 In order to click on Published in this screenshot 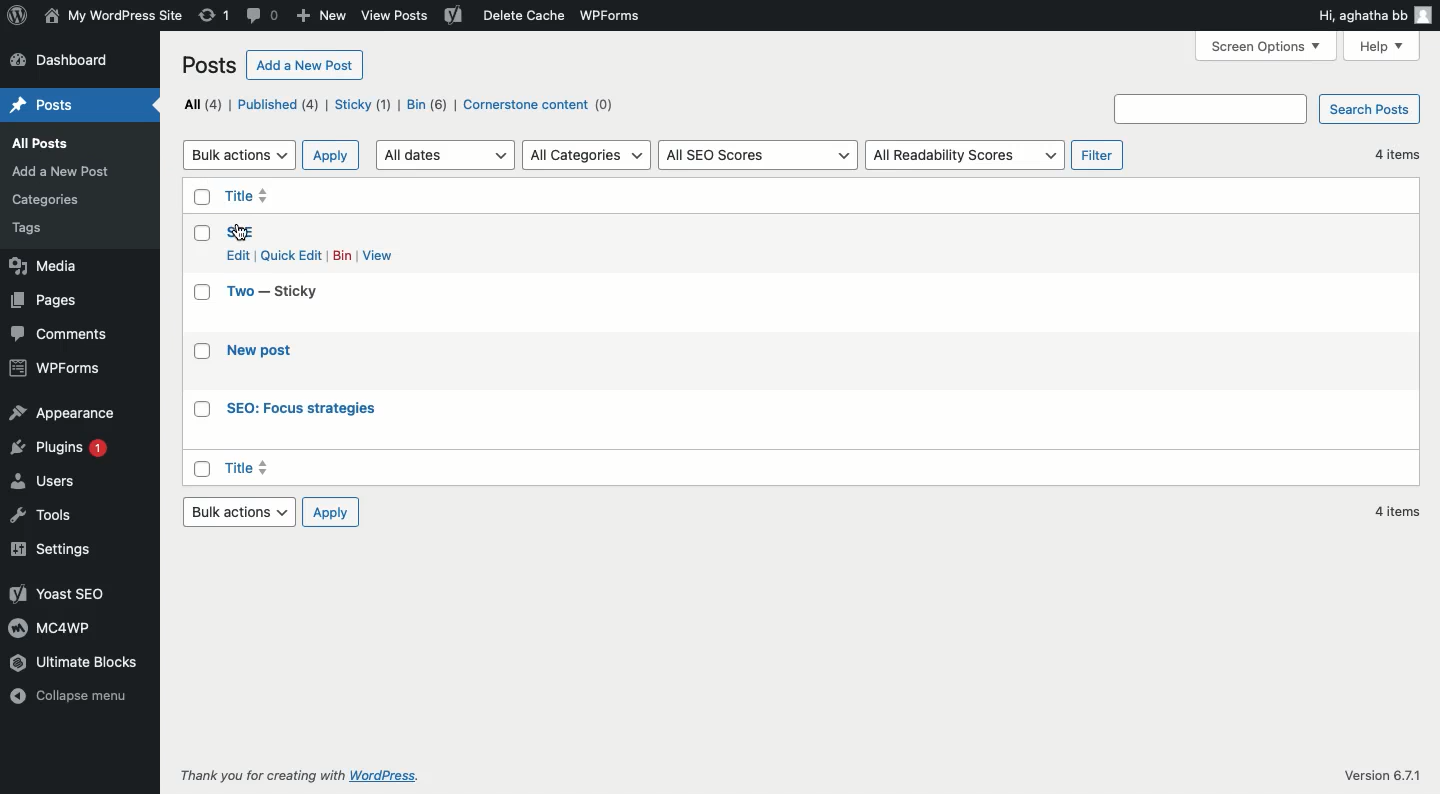, I will do `click(279, 104)`.